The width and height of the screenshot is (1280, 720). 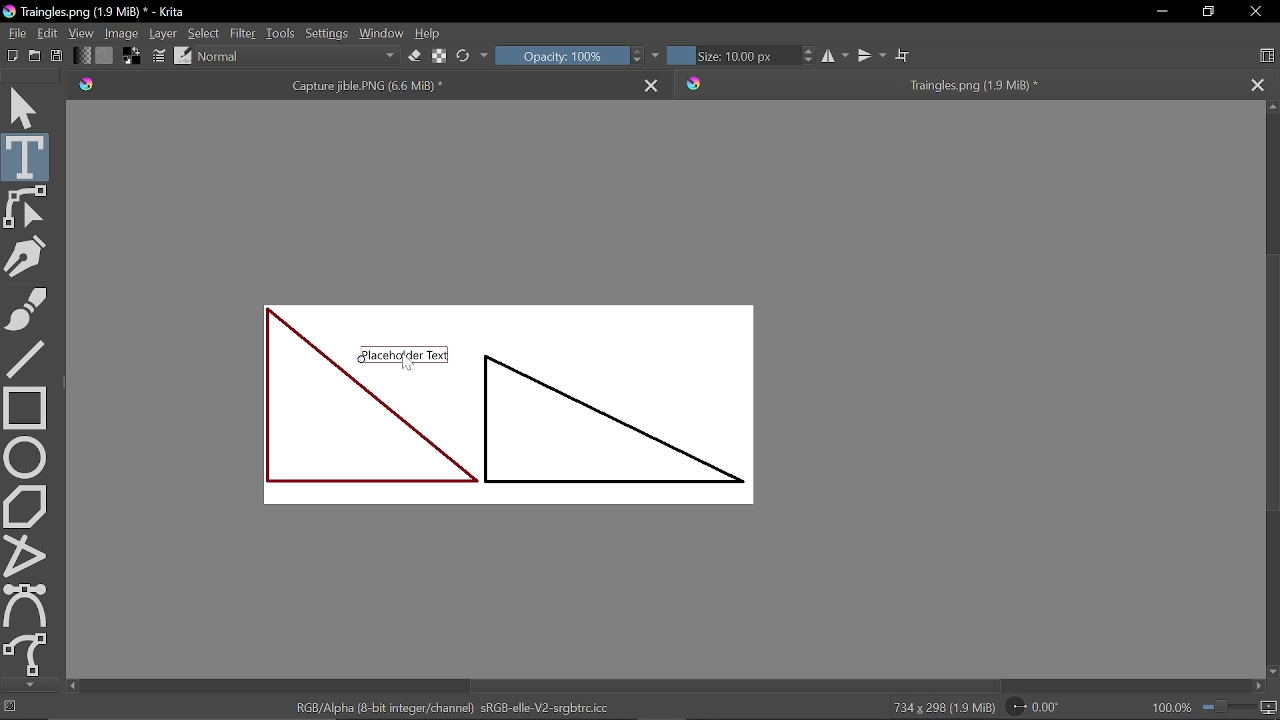 What do you see at coordinates (27, 157) in the screenshot?
I see `Text tool` at bounding box center [27, 157].